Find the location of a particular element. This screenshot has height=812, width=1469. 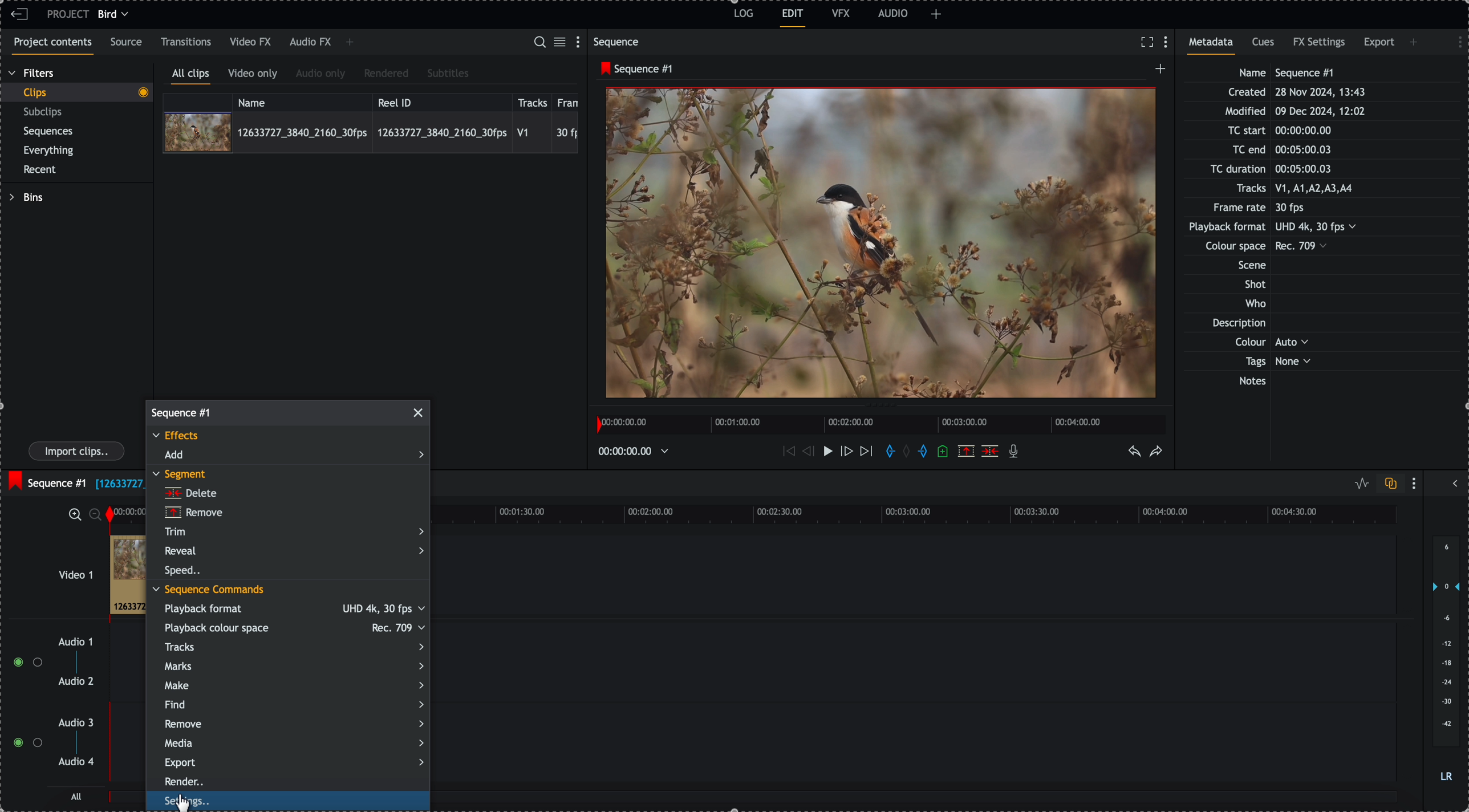

tracks is located at coordinates (293, 646).